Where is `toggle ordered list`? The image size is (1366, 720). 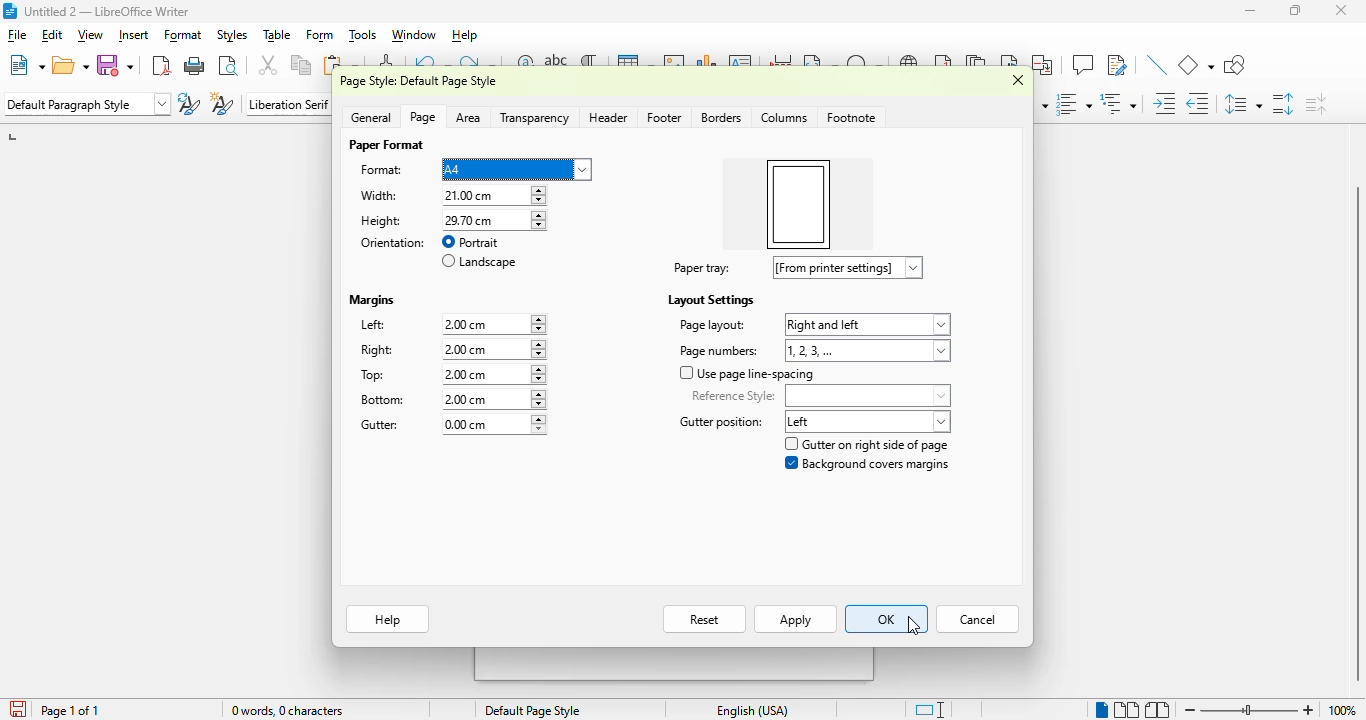 toggle ordered list is located at coordinates (1073, 104).